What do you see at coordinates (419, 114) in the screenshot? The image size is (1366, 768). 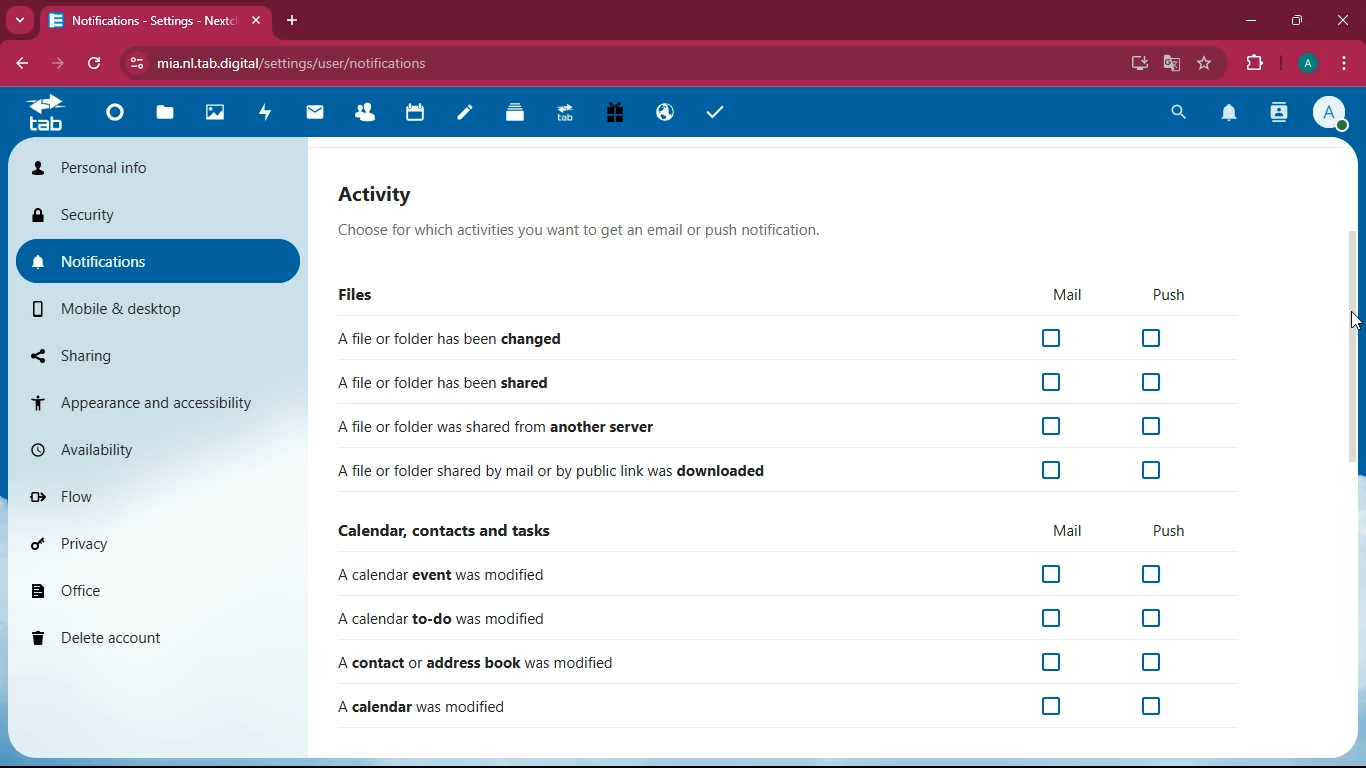 I see `calendar` at bounding box center [419, 114].